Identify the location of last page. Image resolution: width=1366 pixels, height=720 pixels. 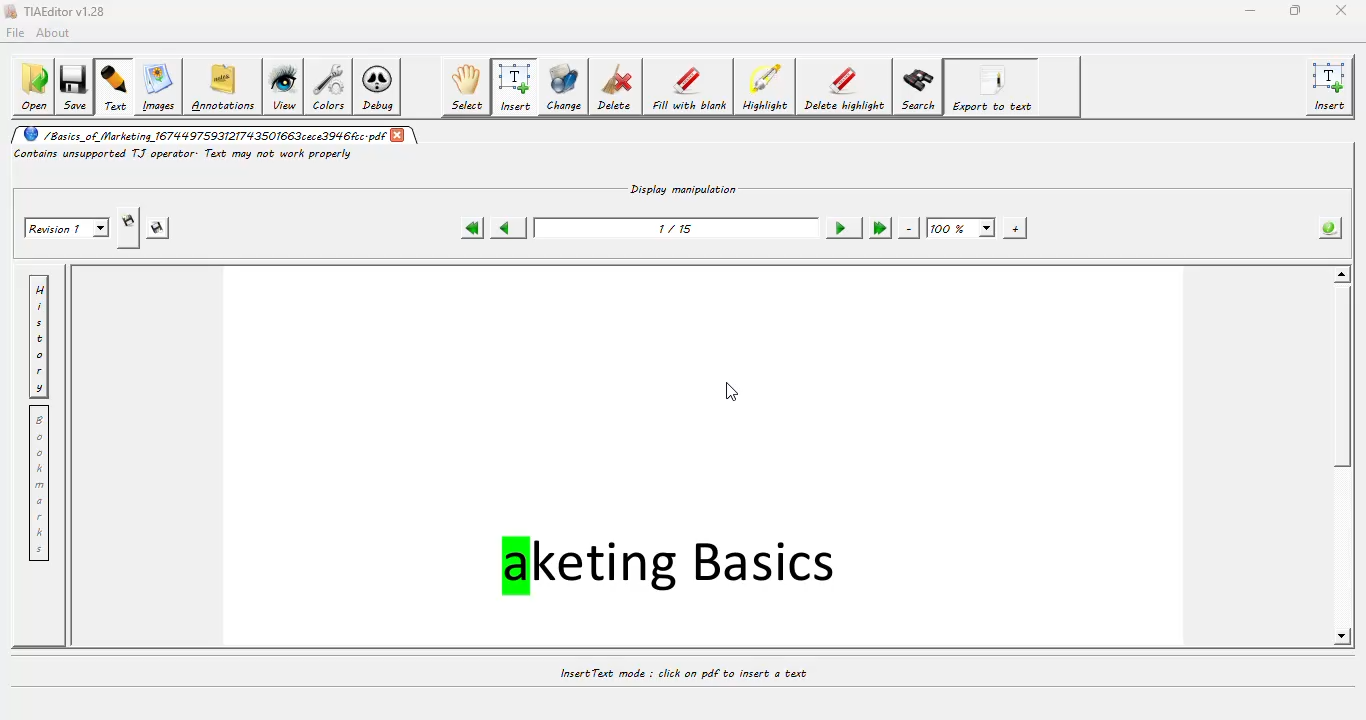
(878, 227).